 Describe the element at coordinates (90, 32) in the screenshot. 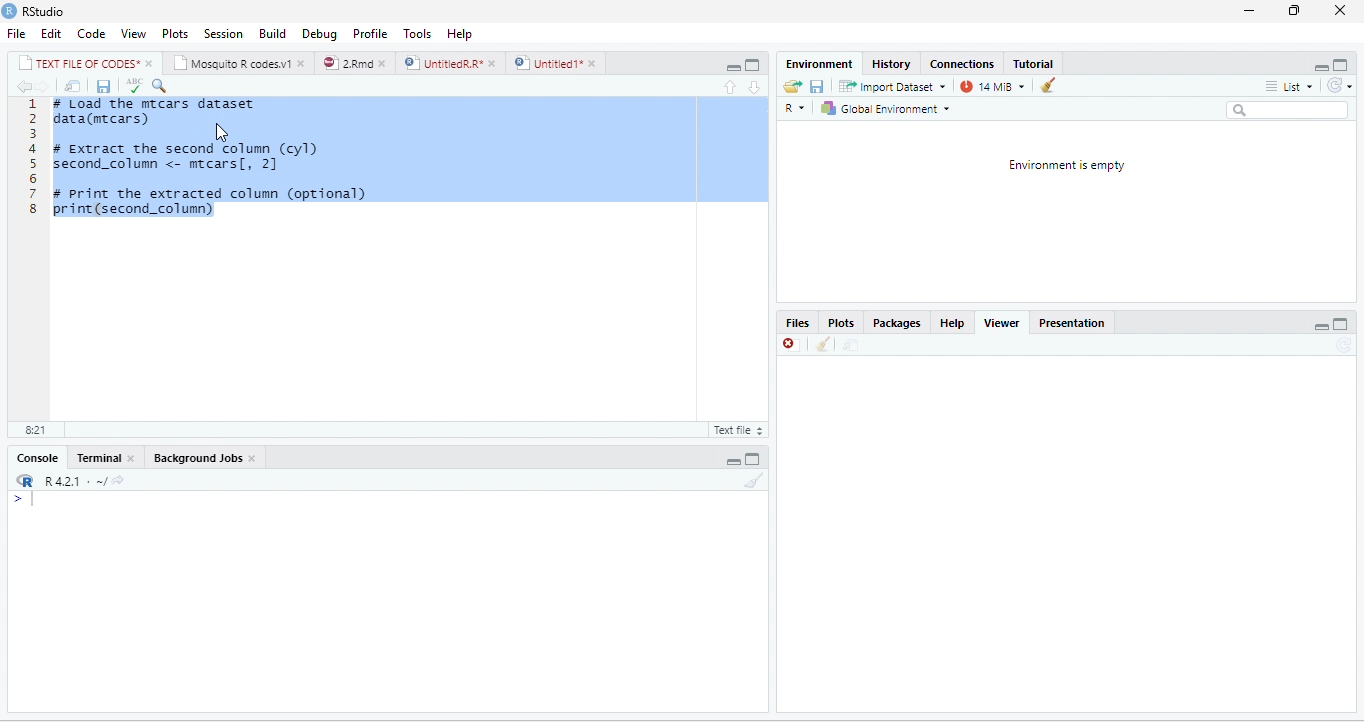

I see `Code` at that location.